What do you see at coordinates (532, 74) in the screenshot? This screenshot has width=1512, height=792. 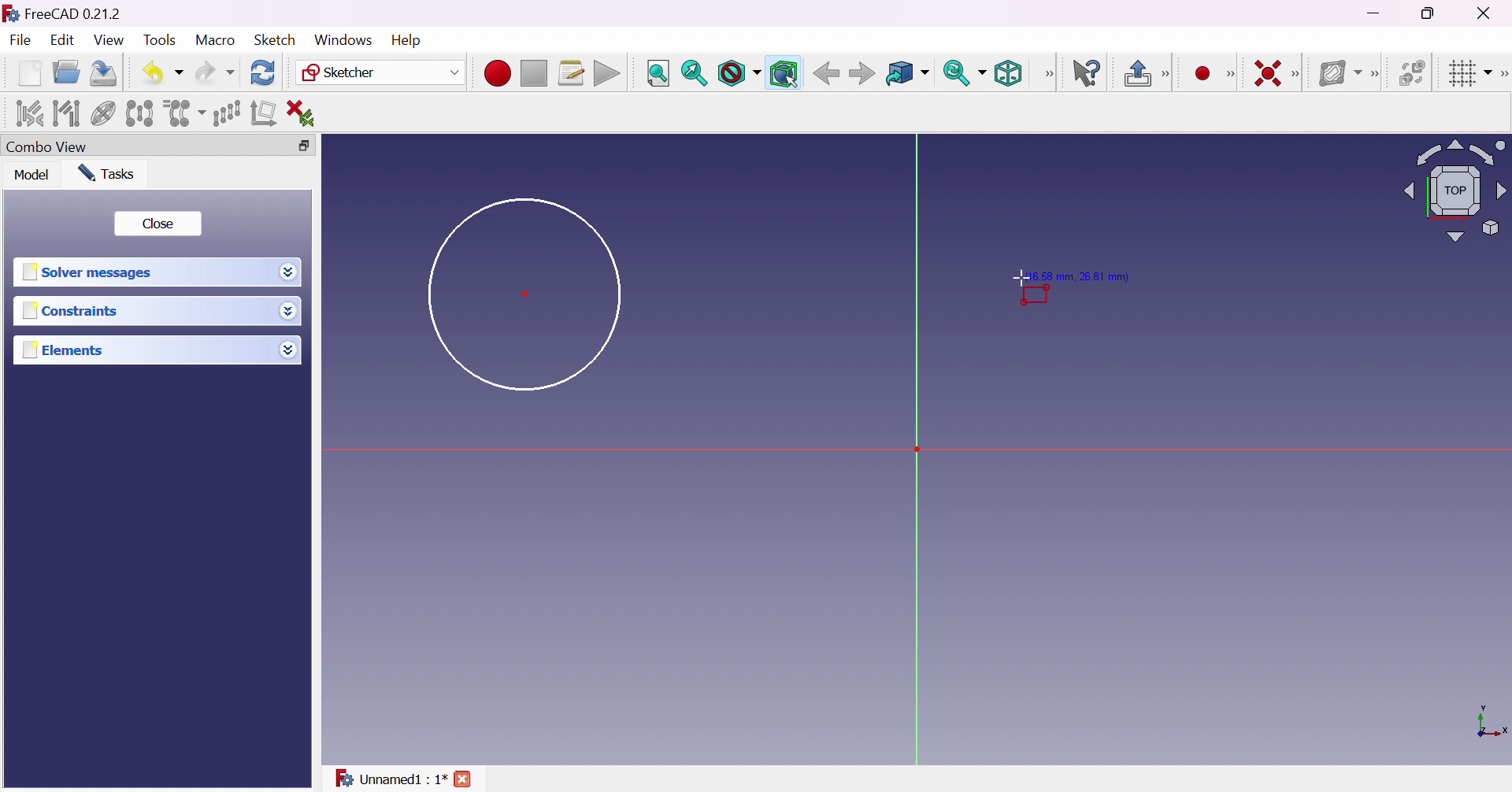 I see `Stop macro recording` at bounding box center [532, 74].